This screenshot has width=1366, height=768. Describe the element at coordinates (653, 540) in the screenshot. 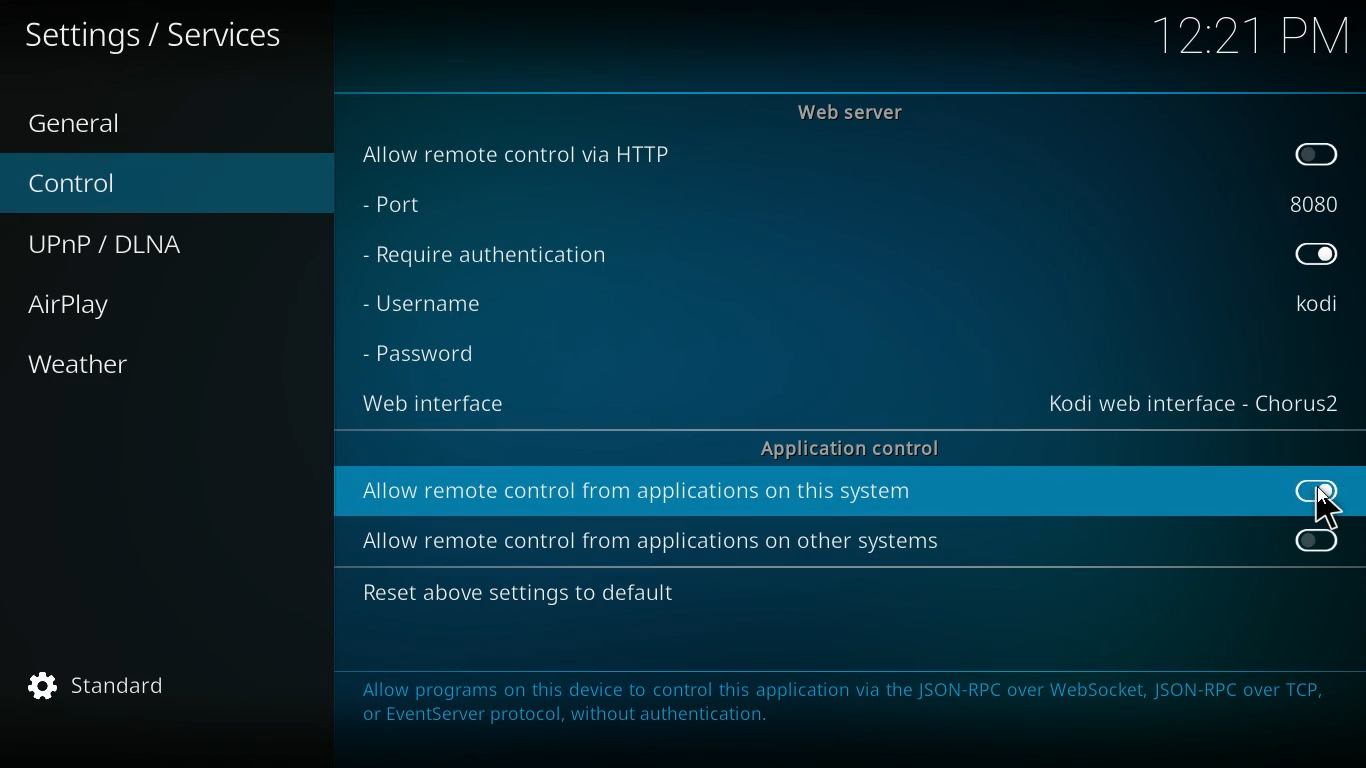

I see `allow remote control from other systems` at that location.